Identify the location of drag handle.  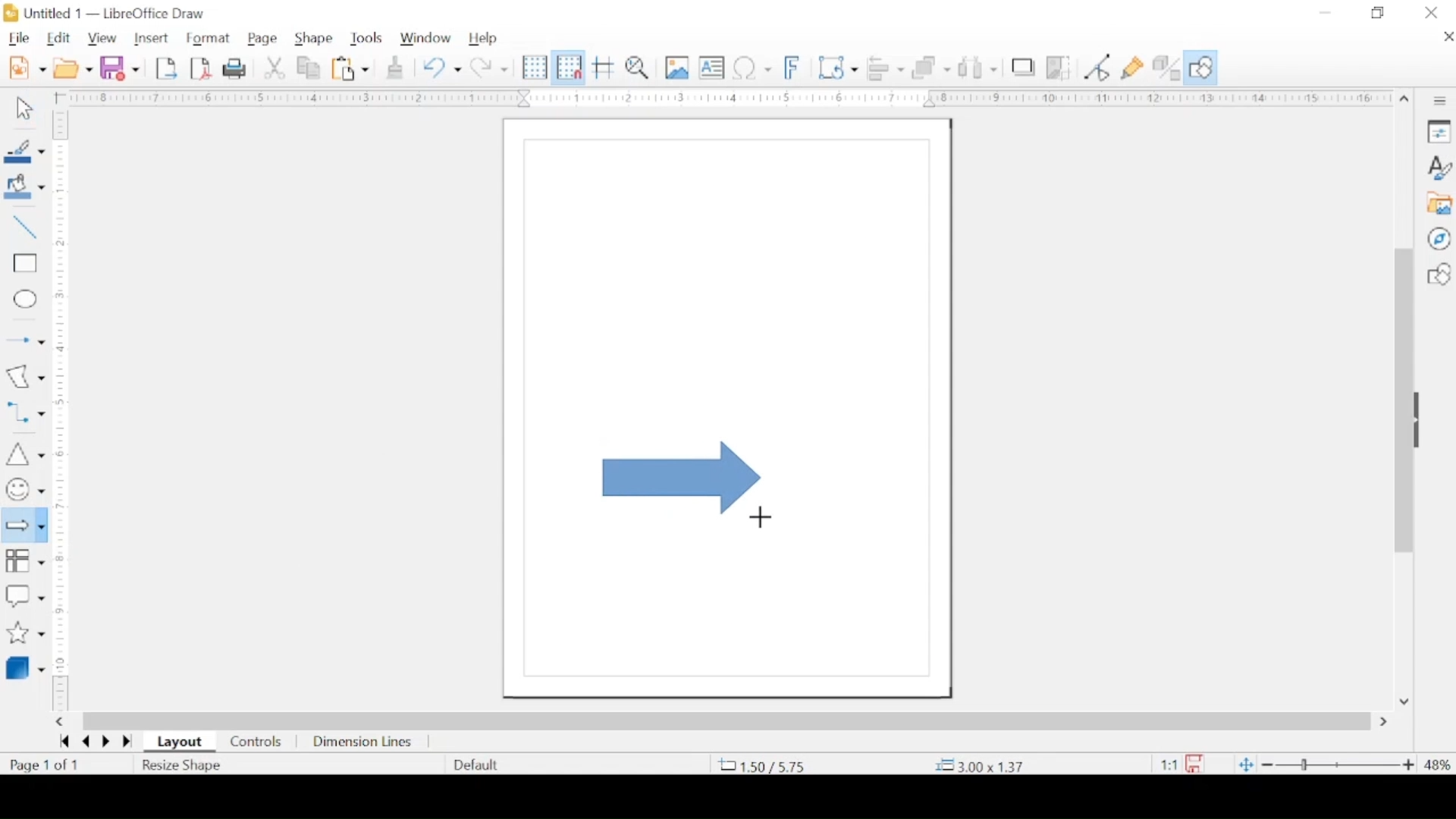
(1421, 419).